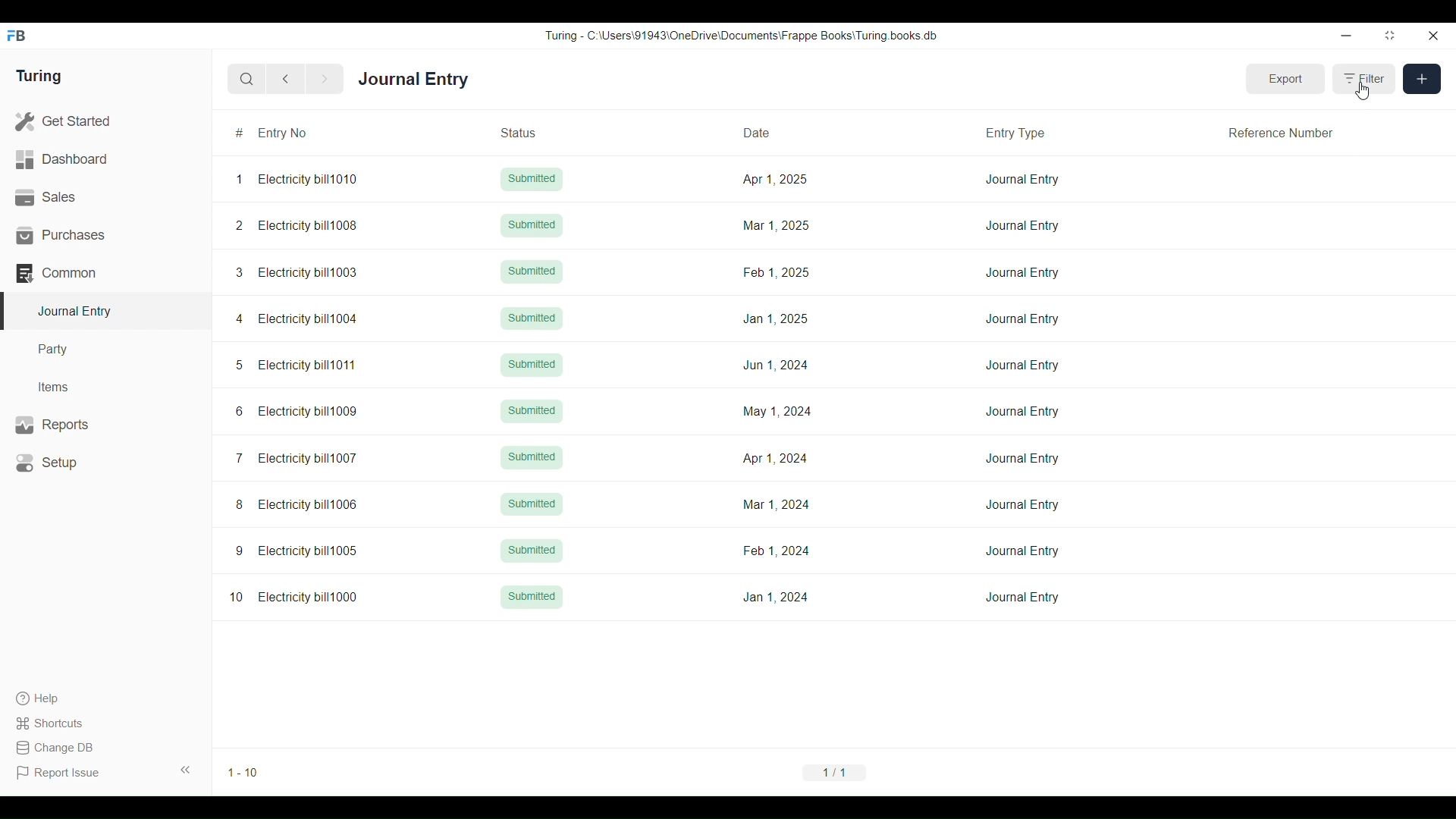 The image size is (1456, 819). Describe the element at coordinates (1021, 598) in the screenshot. I see `Journal Entry` at that location.